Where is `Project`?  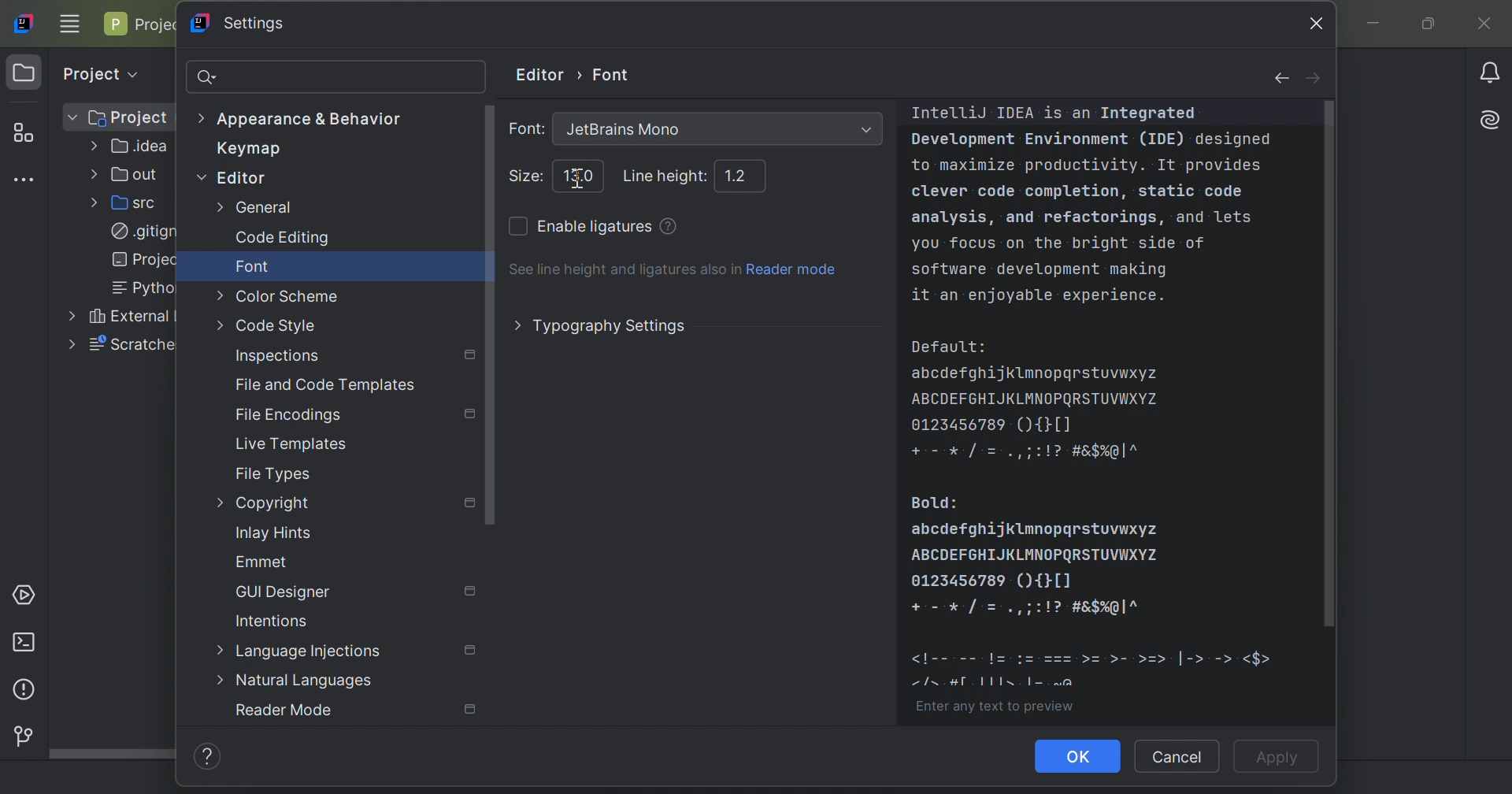
Project is located at coordinates (98, 71).